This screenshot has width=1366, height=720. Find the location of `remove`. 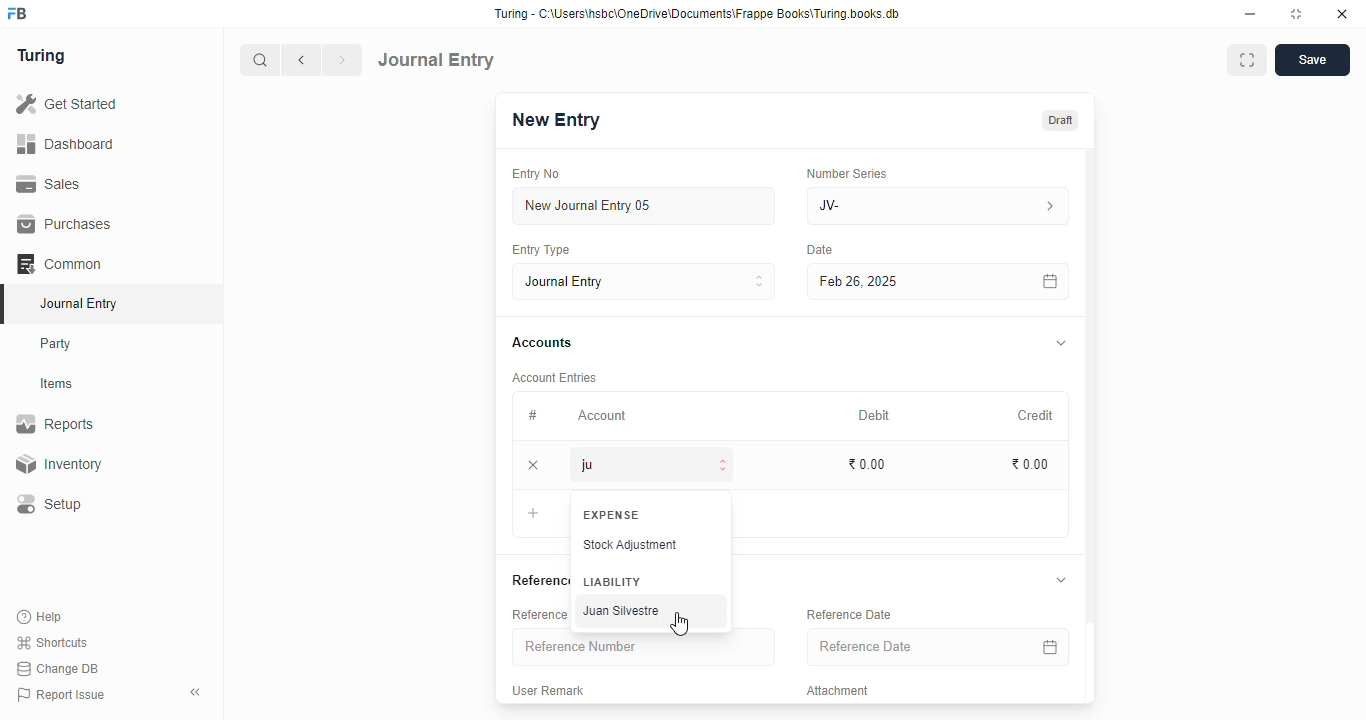

remove is located at coordinates (535, 466).